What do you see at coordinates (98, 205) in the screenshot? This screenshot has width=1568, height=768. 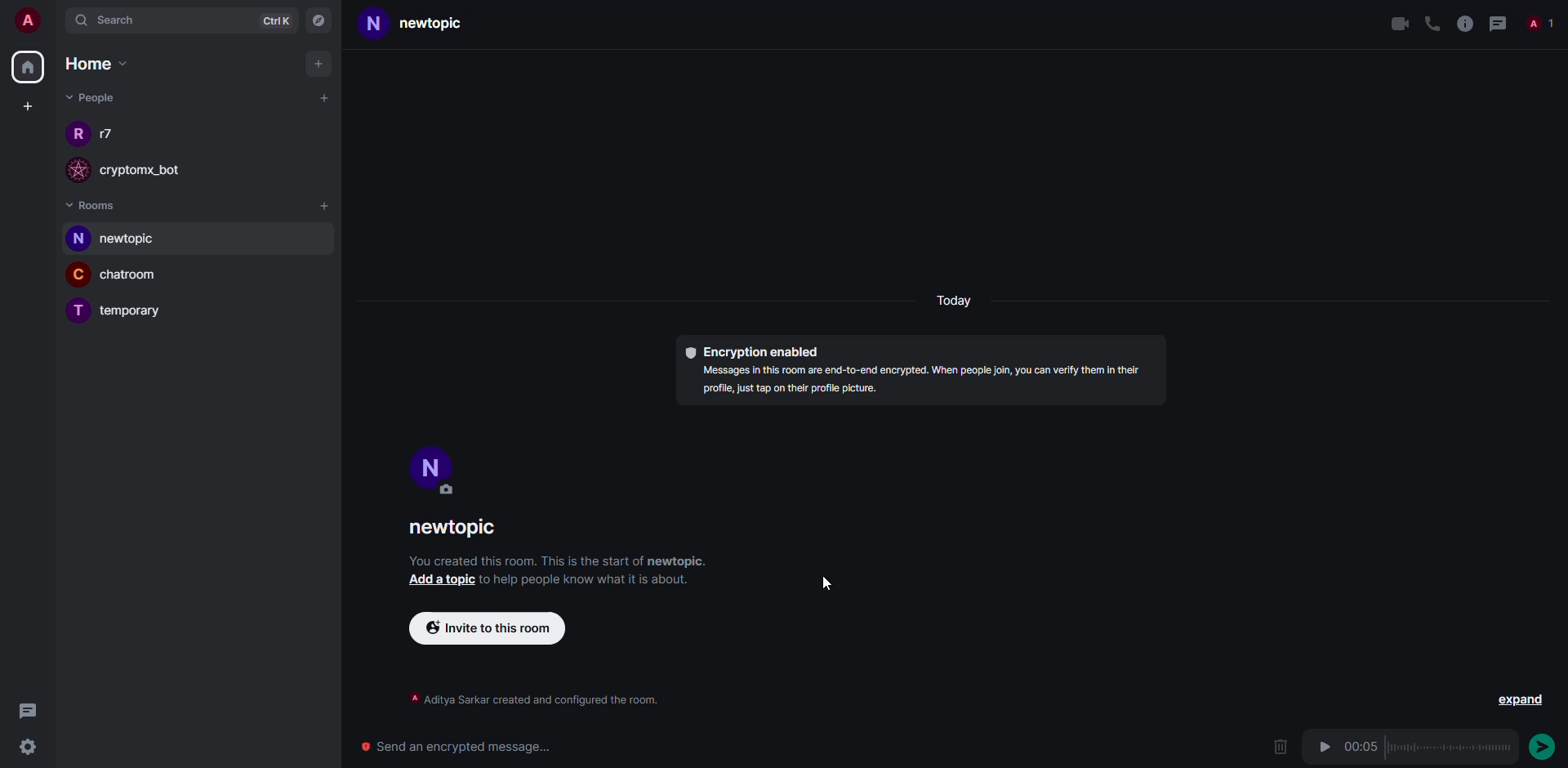 I see `rooms` at bounding box center [98, 205].